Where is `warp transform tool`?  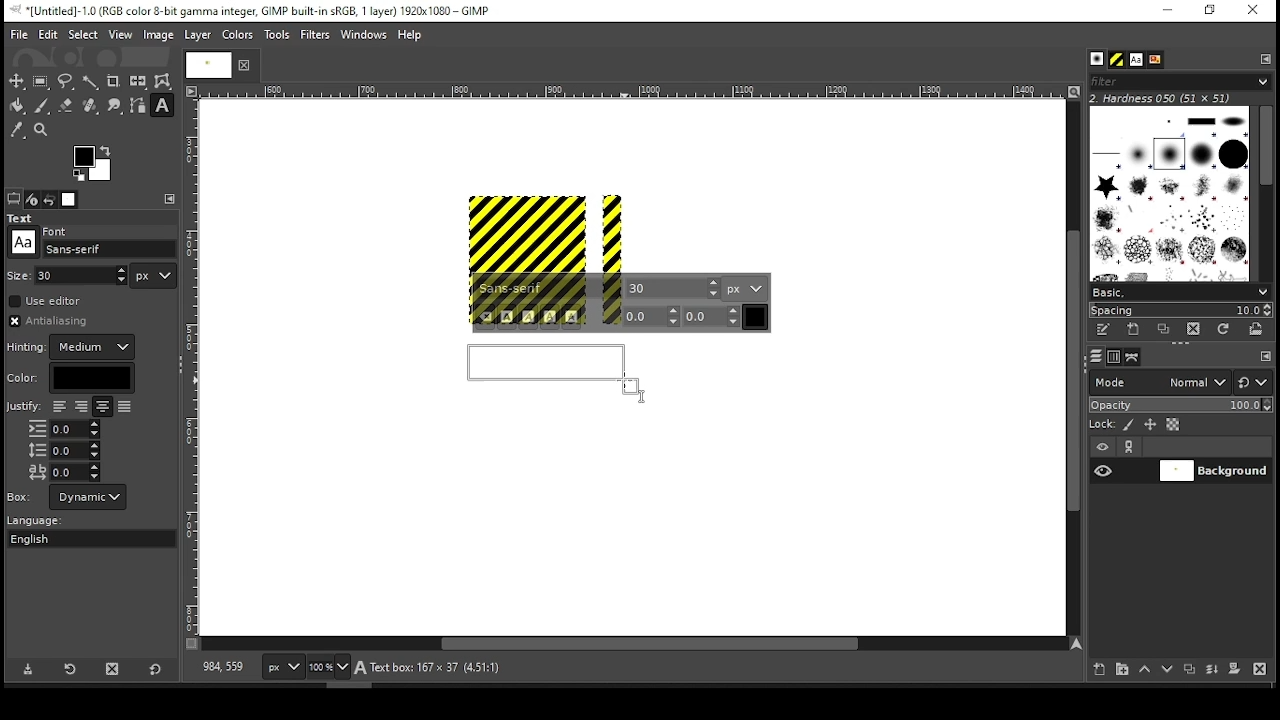
warp transform tool is located at coordinates (162, 82).